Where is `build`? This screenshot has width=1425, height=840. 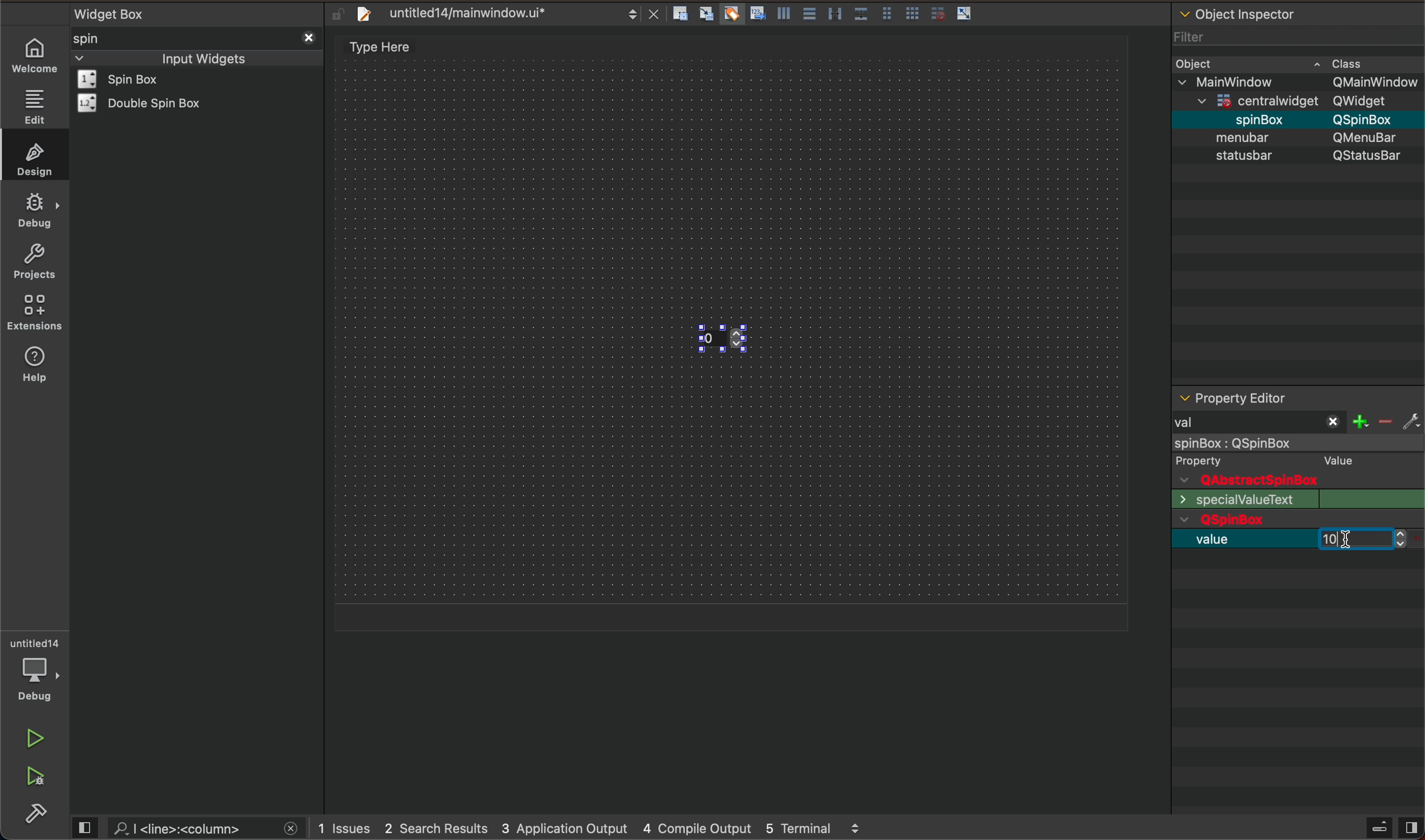
build is located at coordinates (38, 814).